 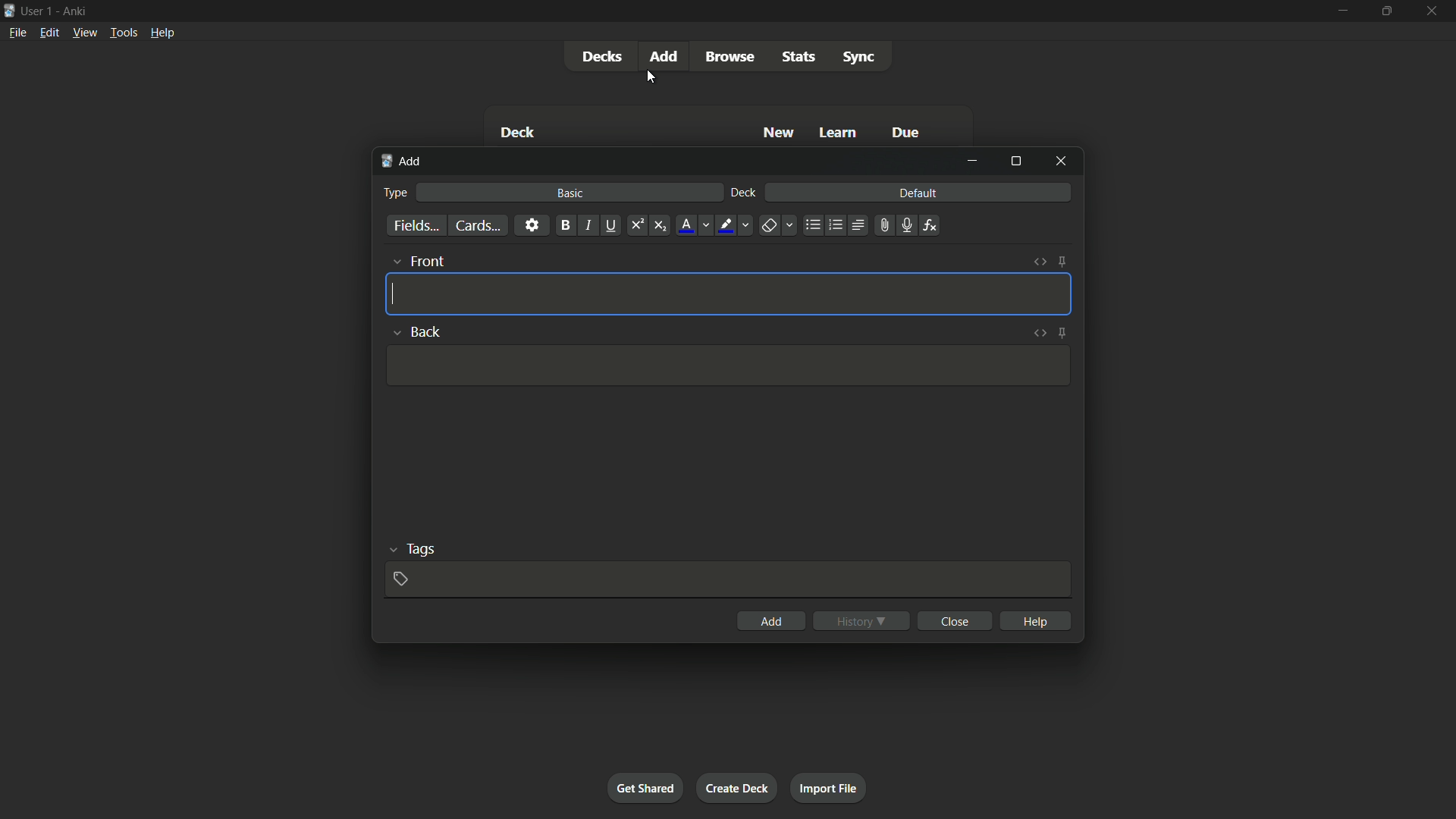 I want to click on fields, so click(x=416, y=227).